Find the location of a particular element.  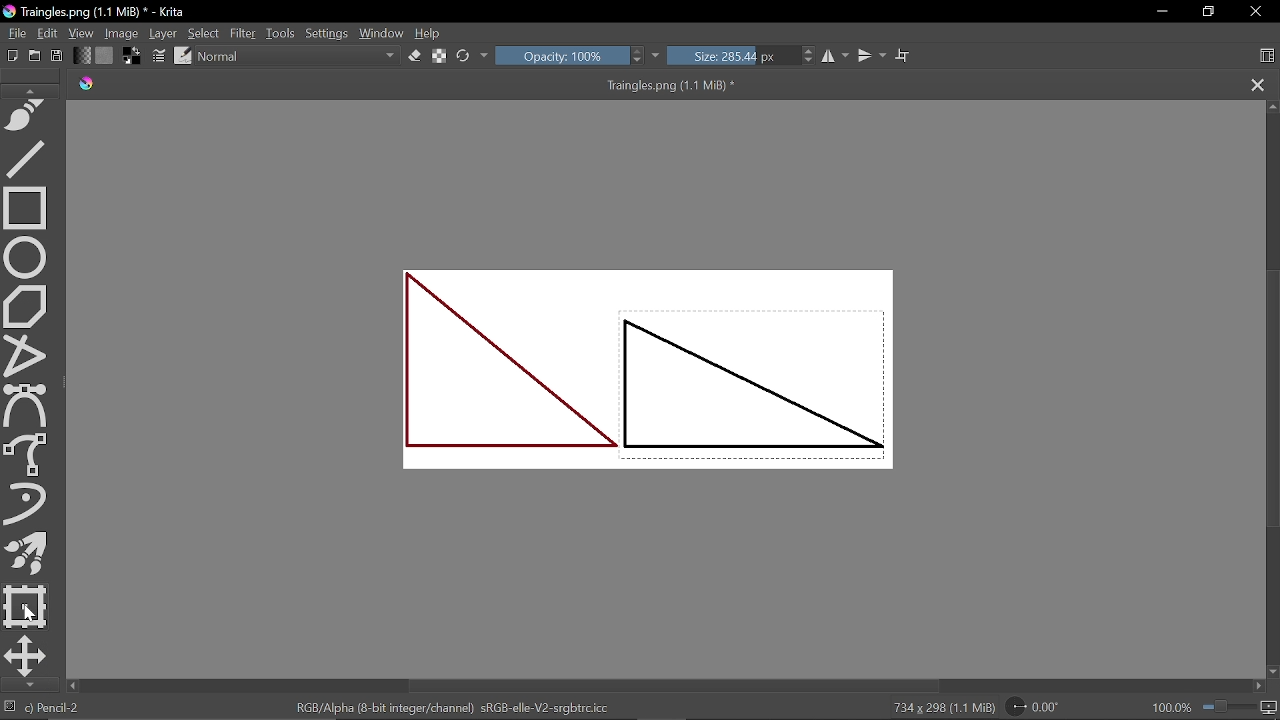

Move right is located at coordinates (1258, 687).